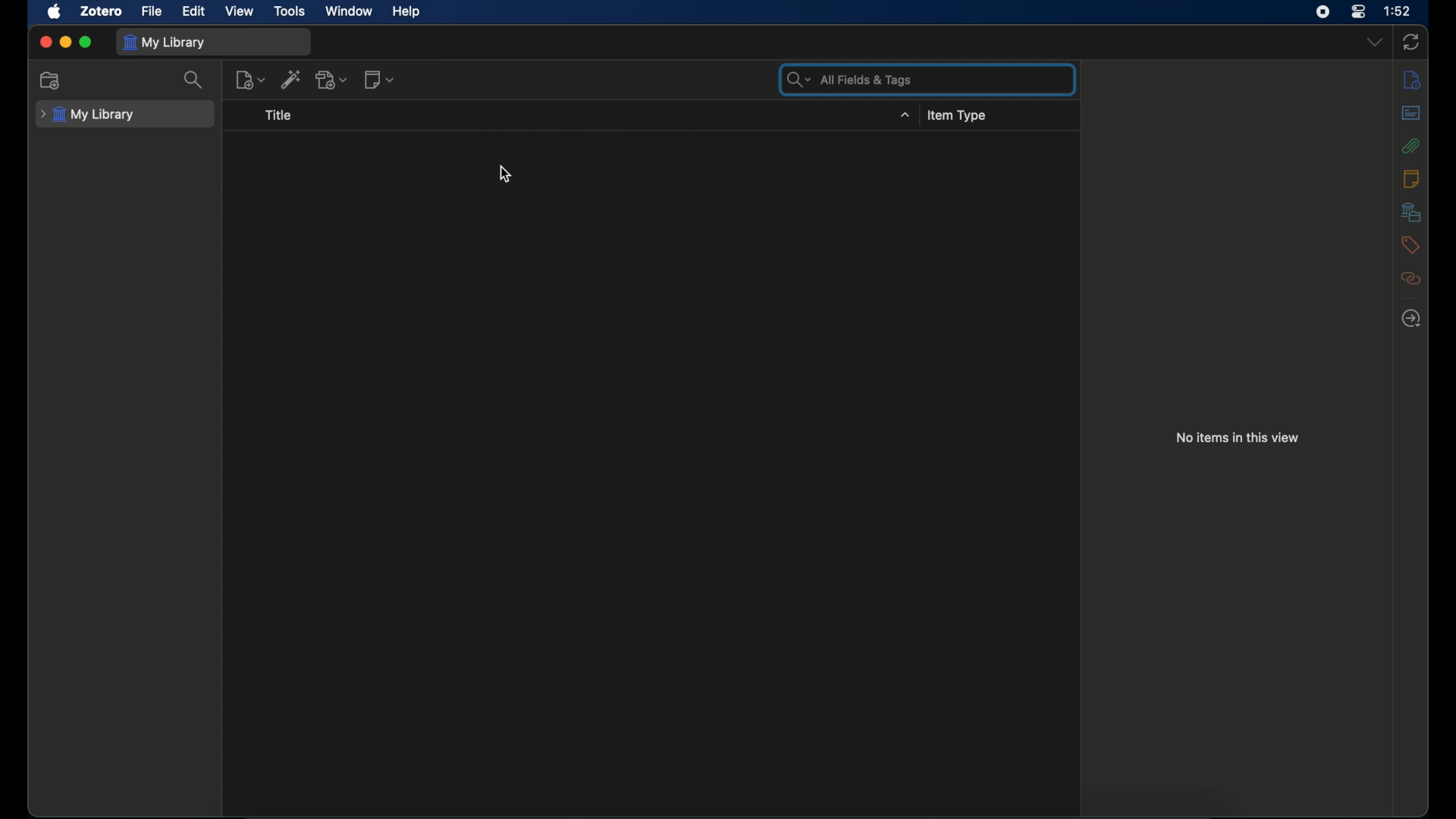 Image resolution: width=1456 pixels, height=819 pixels. What do you see at coordinates (852, 80) in the screenshot?
I see `search bar` at bounding box center [852, 80].